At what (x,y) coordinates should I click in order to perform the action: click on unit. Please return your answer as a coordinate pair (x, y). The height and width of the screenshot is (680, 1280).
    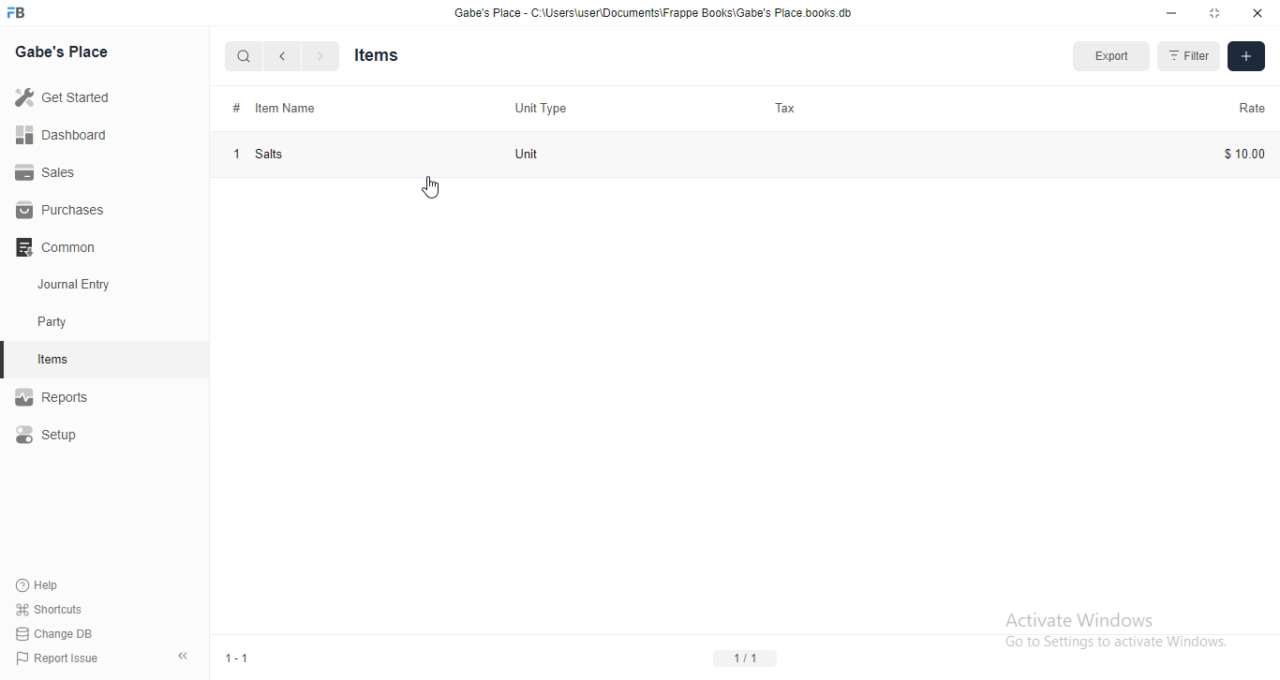
    Looking at the image, I should click on (538, 151).